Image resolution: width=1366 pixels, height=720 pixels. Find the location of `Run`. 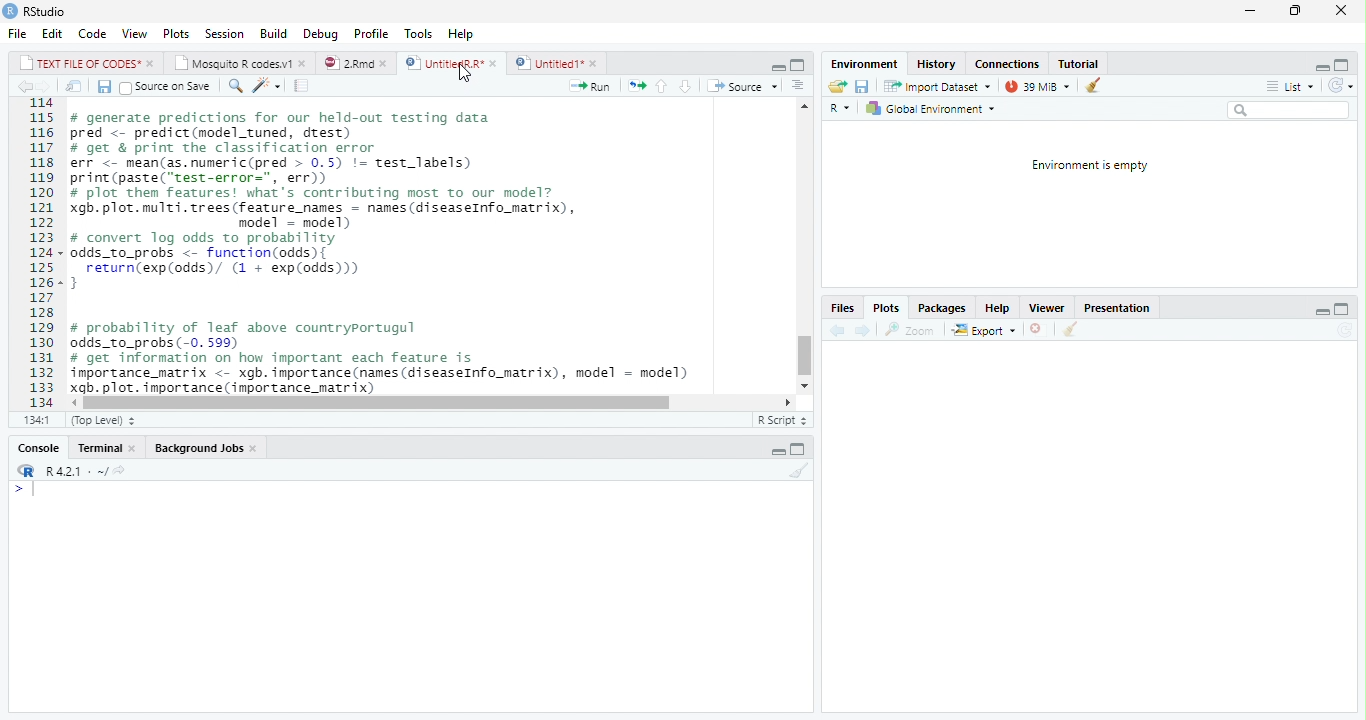

Run is located at coordinates (591, 85).